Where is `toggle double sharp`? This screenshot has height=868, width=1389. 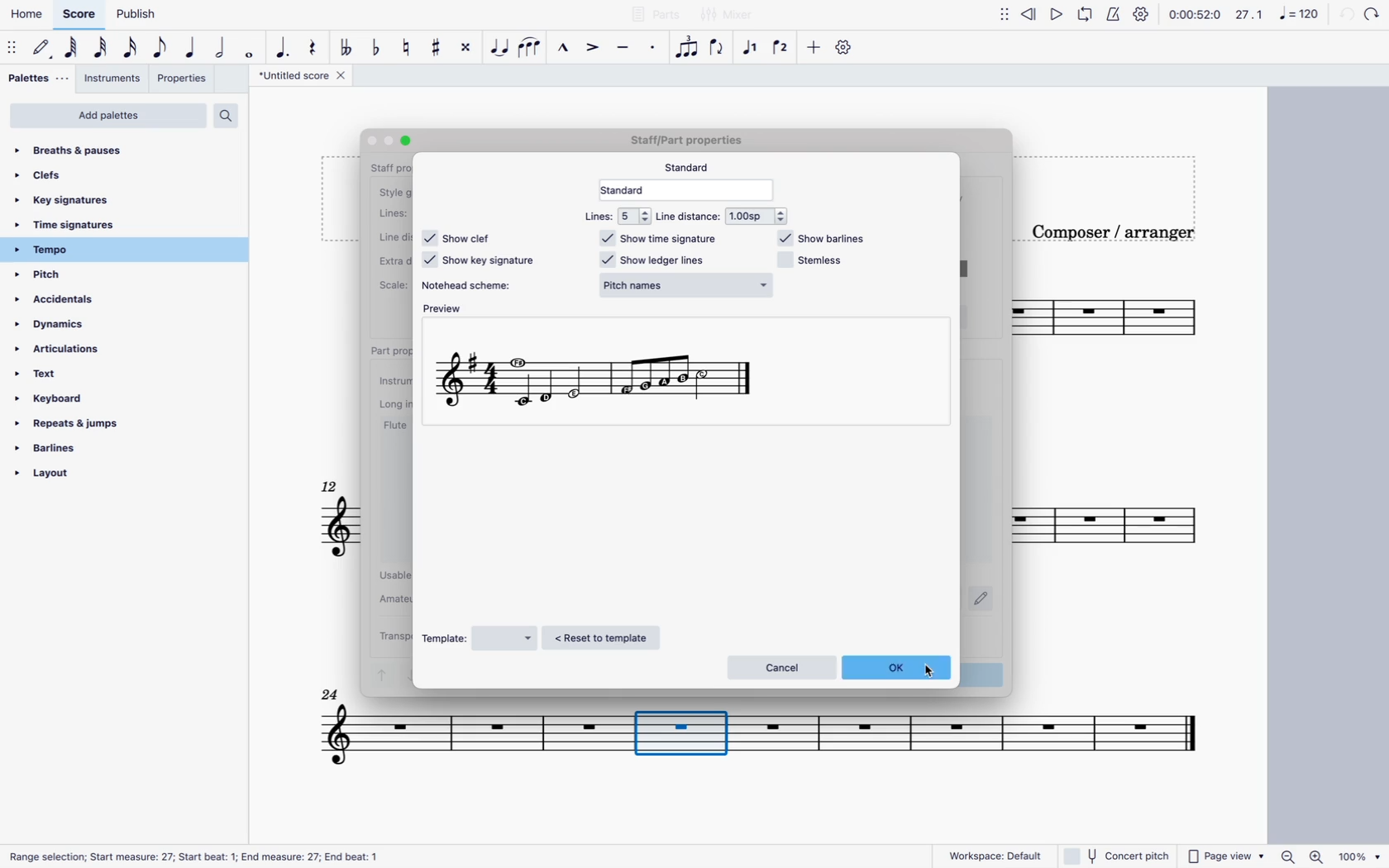 toggle double sharp is located at coordinates (464, 47).